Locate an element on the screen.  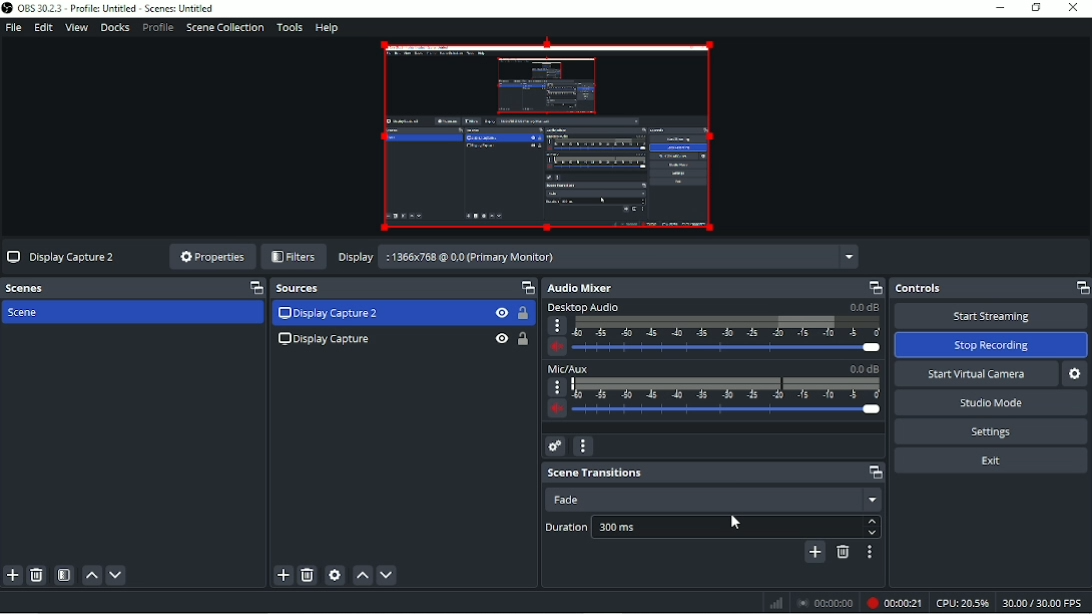
Display is located at coordinates (354, 257).